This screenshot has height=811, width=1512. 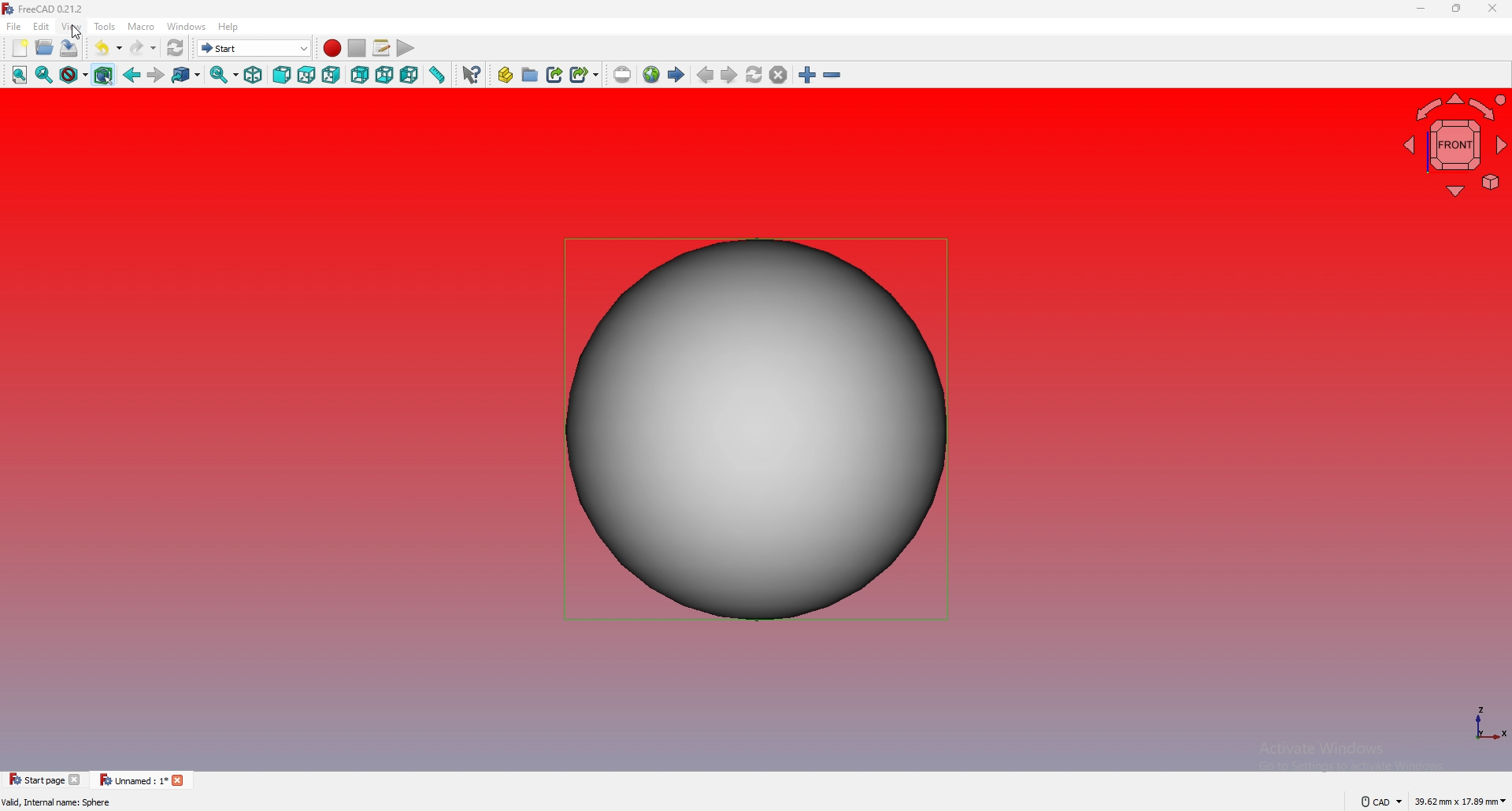 I want to click on back, so click(x=132, y=76).